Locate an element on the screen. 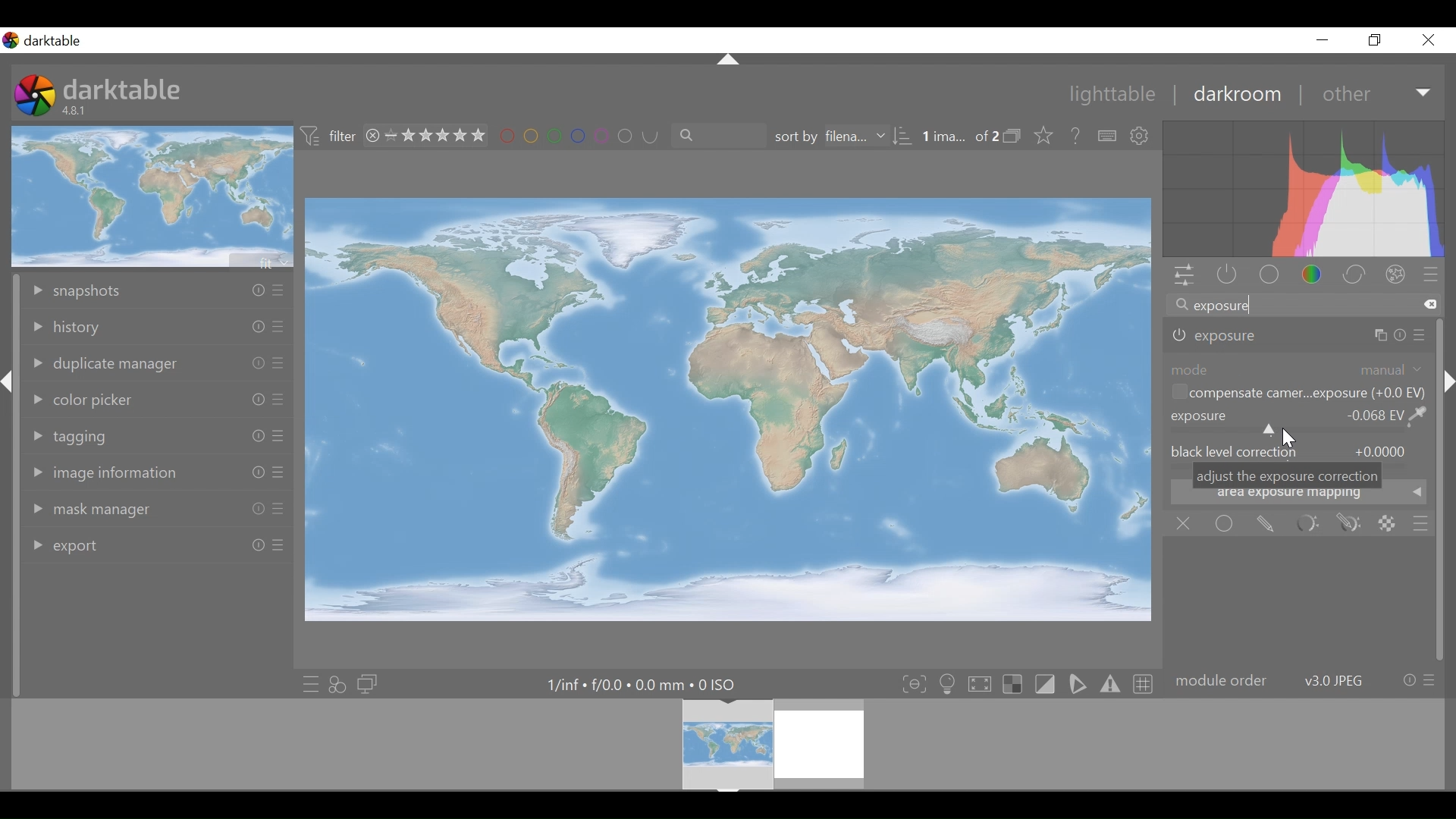  History is located at coordinates (157, 327).